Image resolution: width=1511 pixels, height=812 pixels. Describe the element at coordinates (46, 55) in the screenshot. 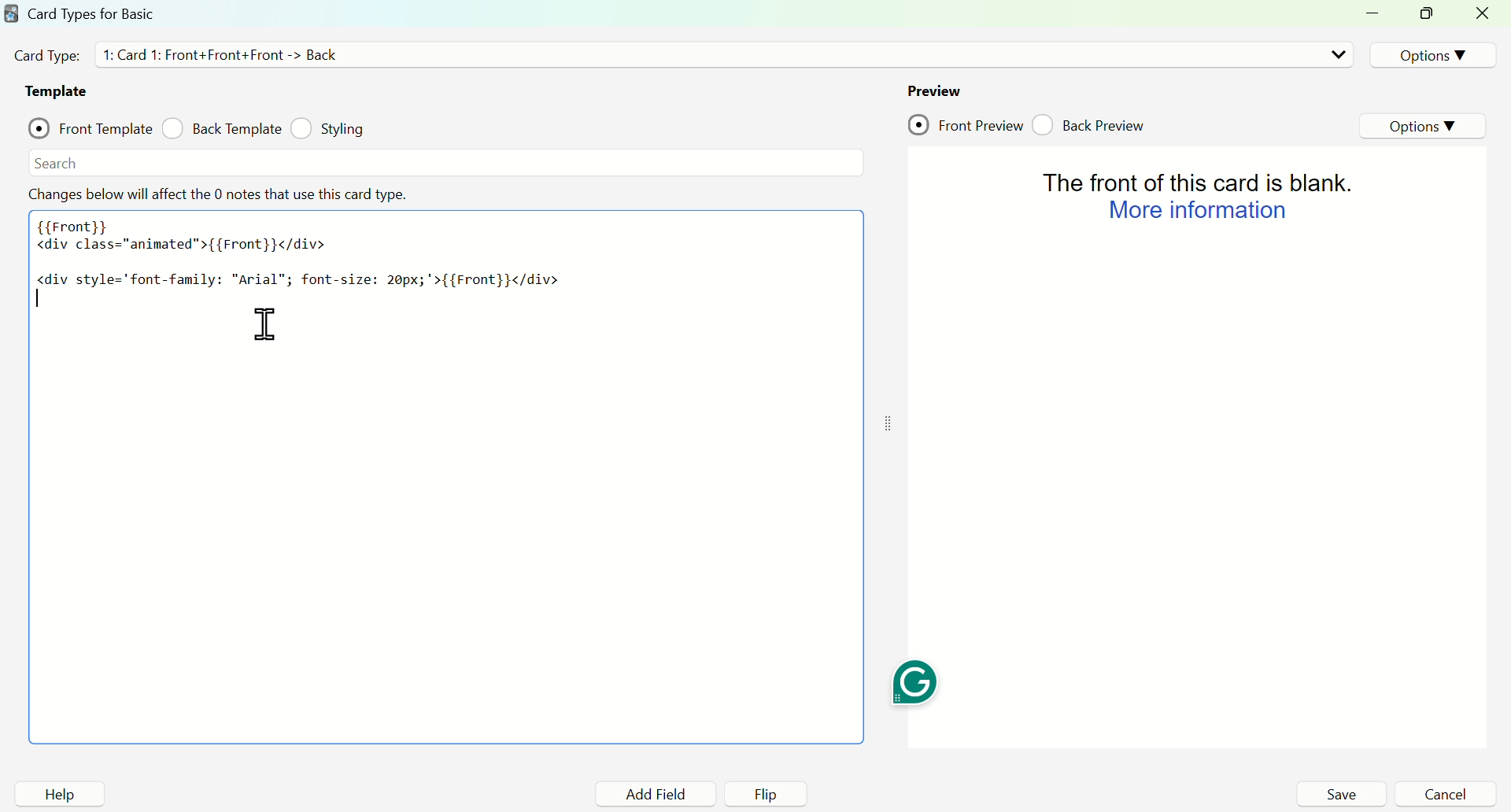

I see `Card Type` at that location.